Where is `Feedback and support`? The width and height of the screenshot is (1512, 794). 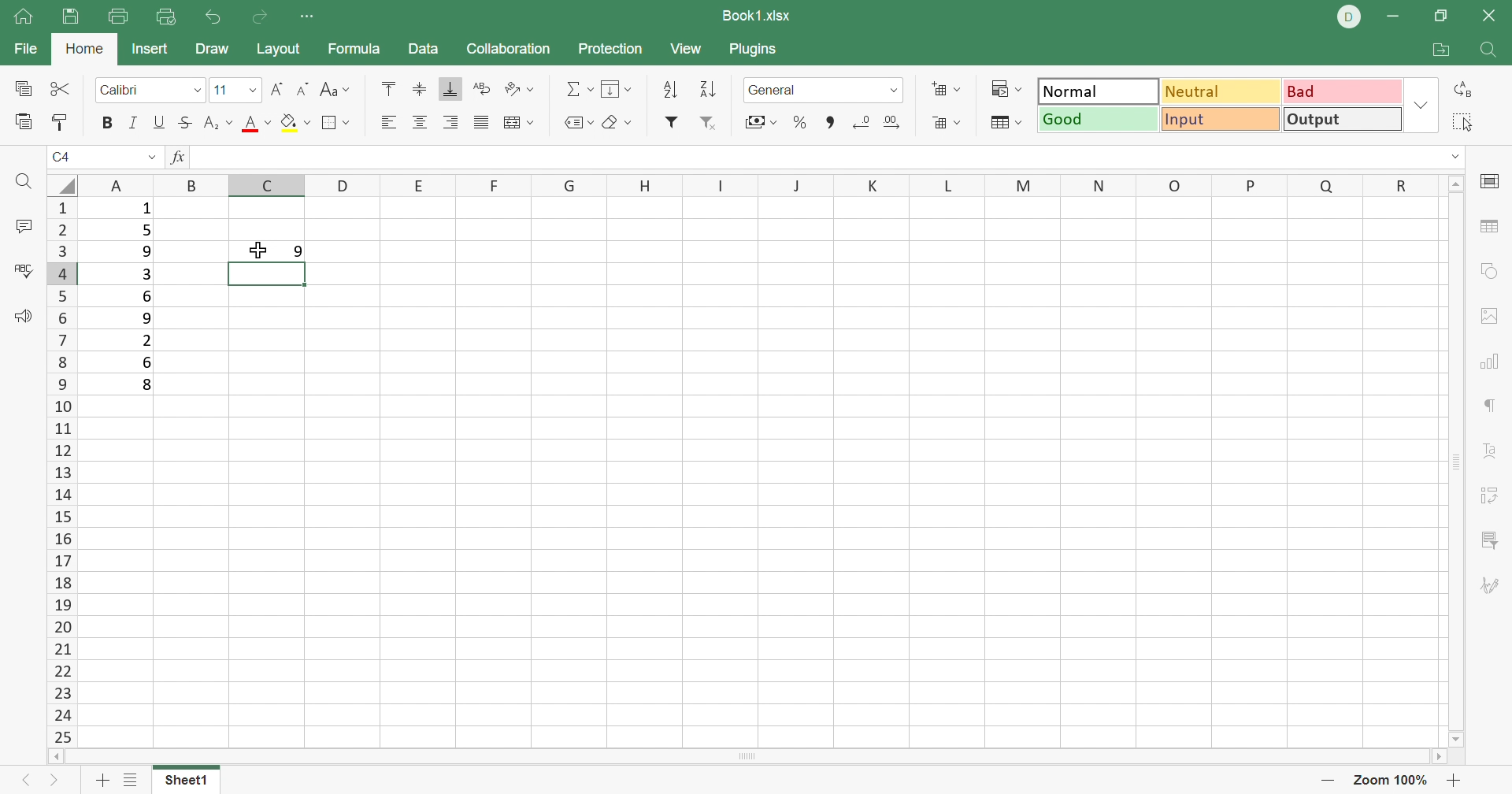 Feedback and support is located at coordinates (27, 315).